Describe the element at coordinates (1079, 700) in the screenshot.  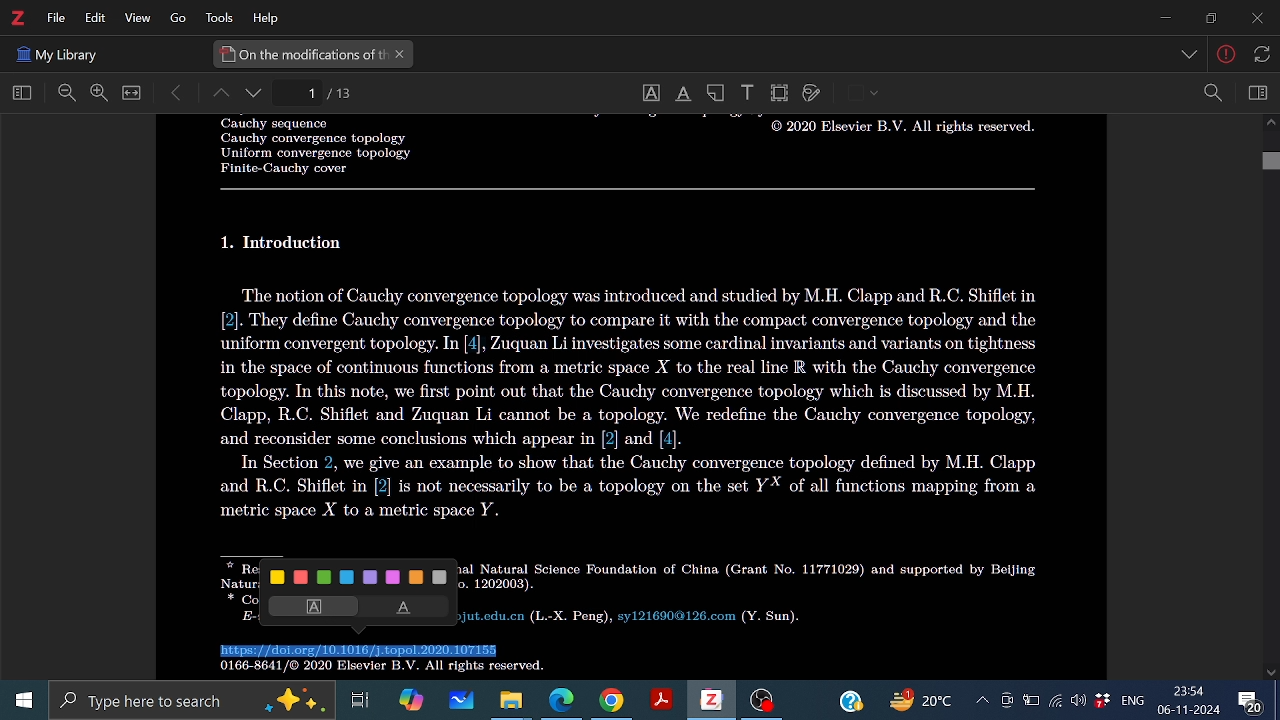
I see `Speaker/Headphone` at that location.